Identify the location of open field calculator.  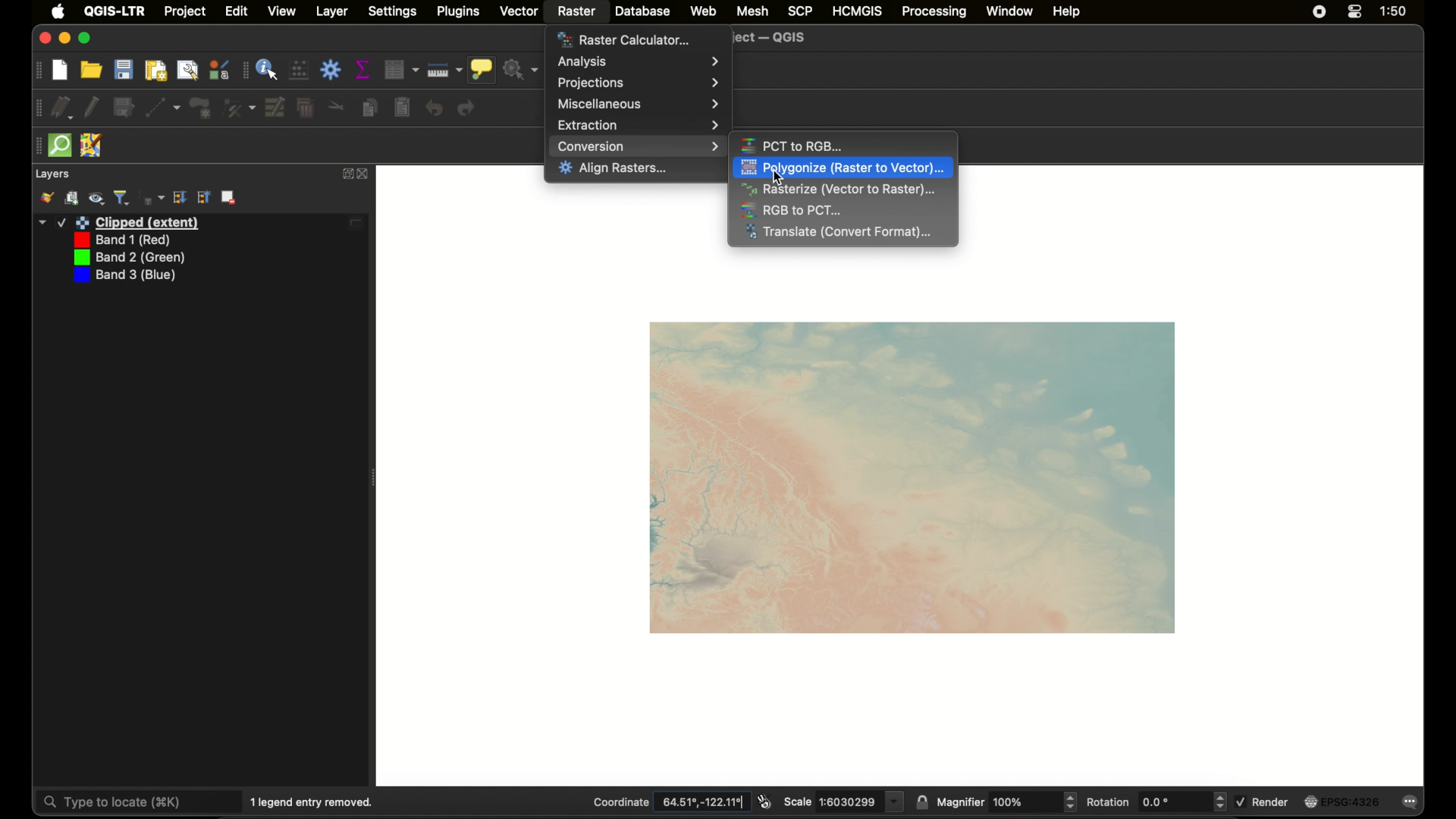
(298, 69).